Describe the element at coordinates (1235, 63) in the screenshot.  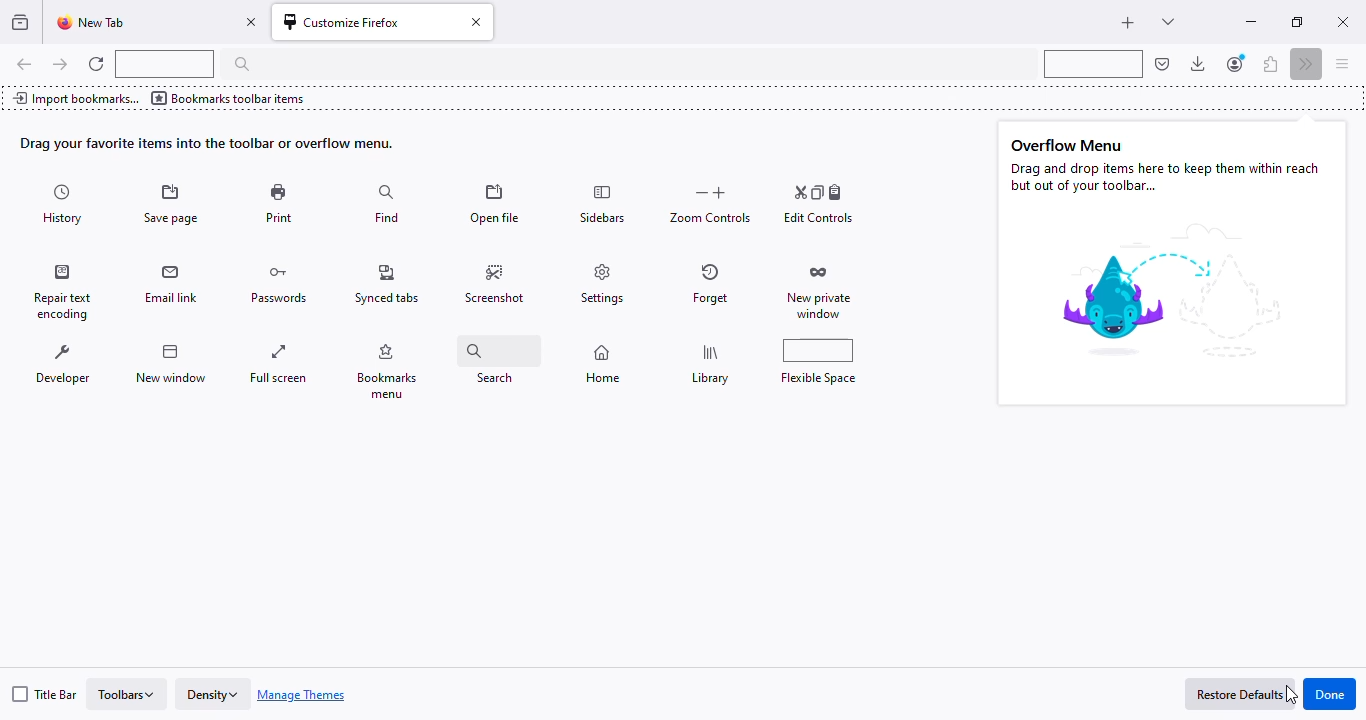
I see `account` at that location.